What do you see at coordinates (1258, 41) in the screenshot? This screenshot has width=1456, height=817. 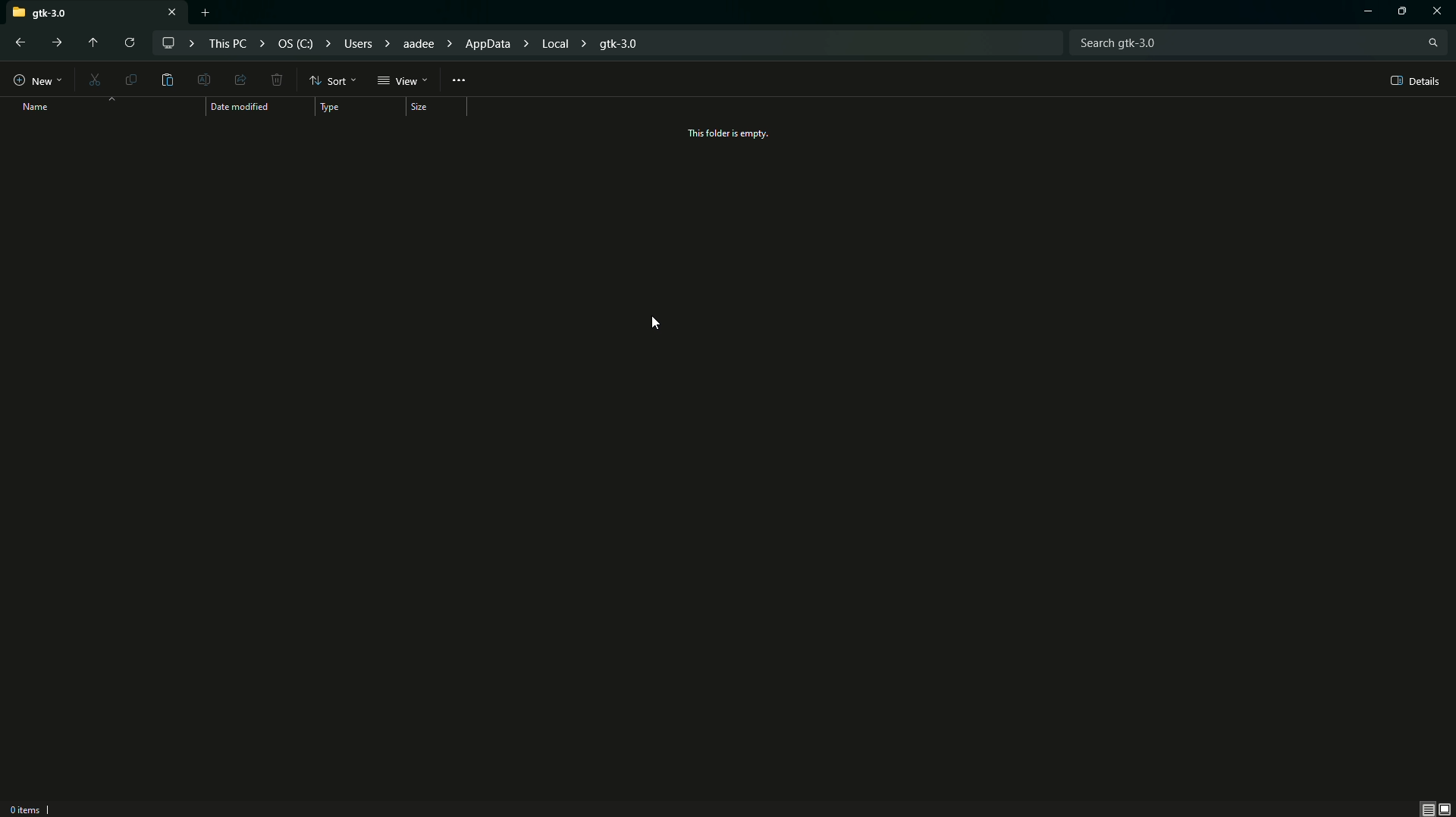 I see `Search bar` at bounding box center [1258, 41].